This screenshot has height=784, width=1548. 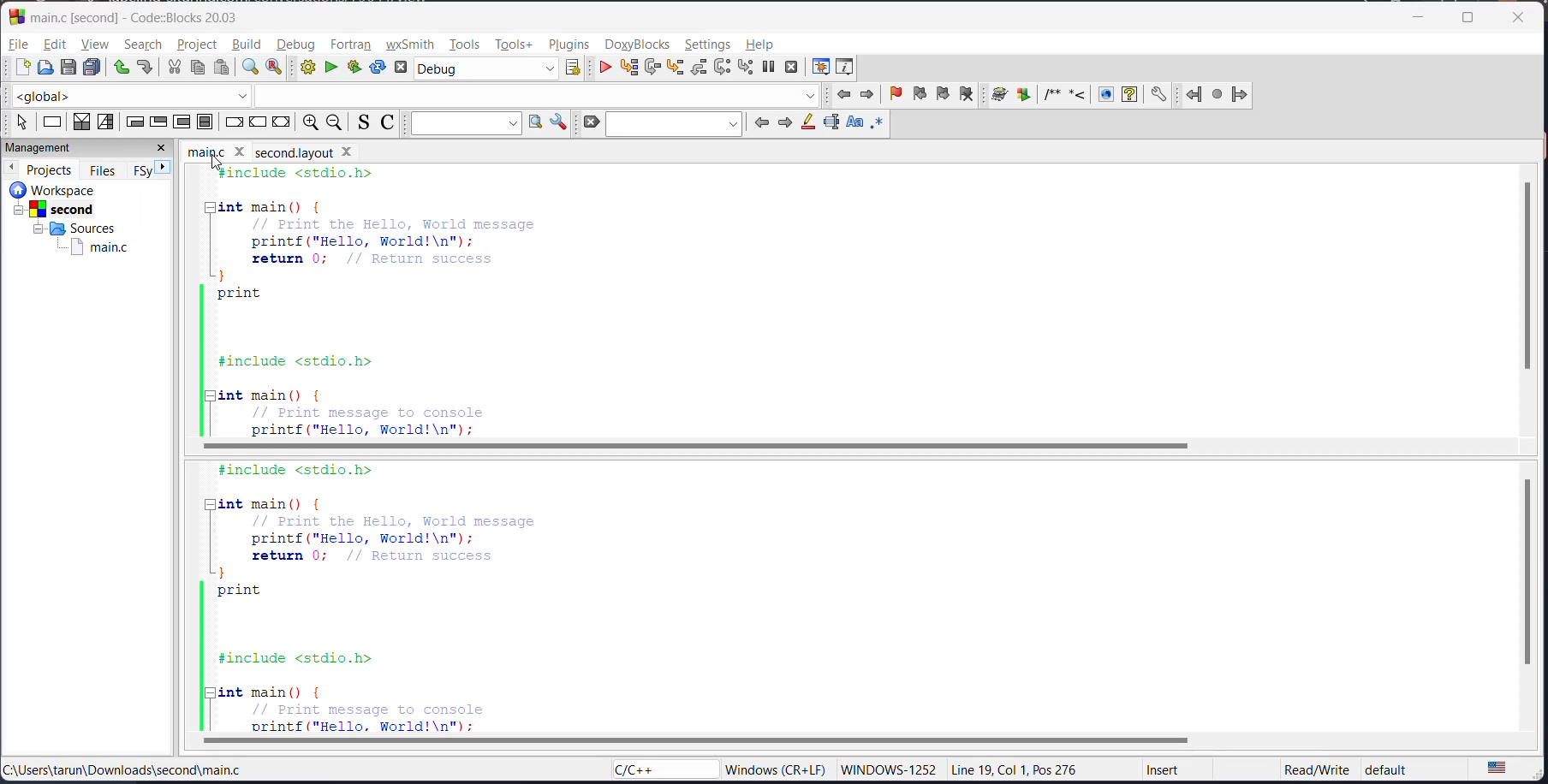 What do you see at coordinates (310, 121) in the screenshot?
I see `zoom in` at bounding box center [310, 121].